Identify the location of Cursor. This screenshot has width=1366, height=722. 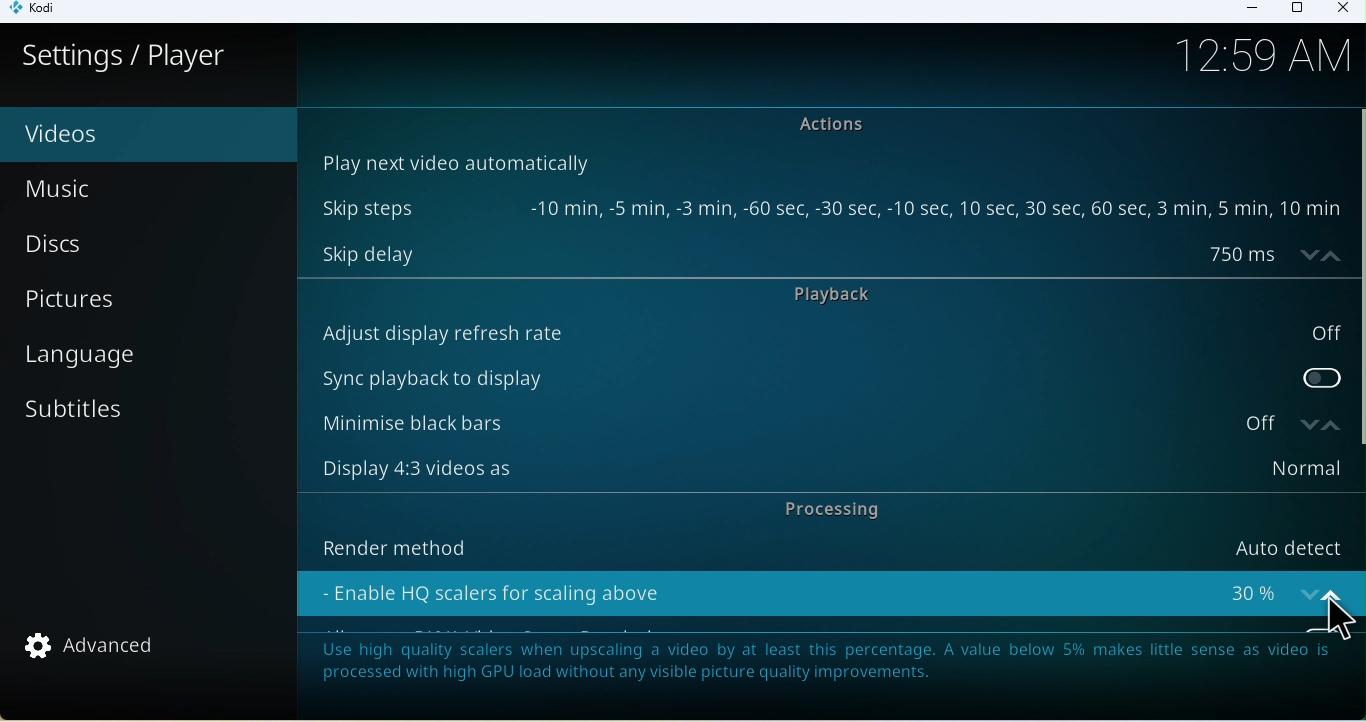
(1332, 621).